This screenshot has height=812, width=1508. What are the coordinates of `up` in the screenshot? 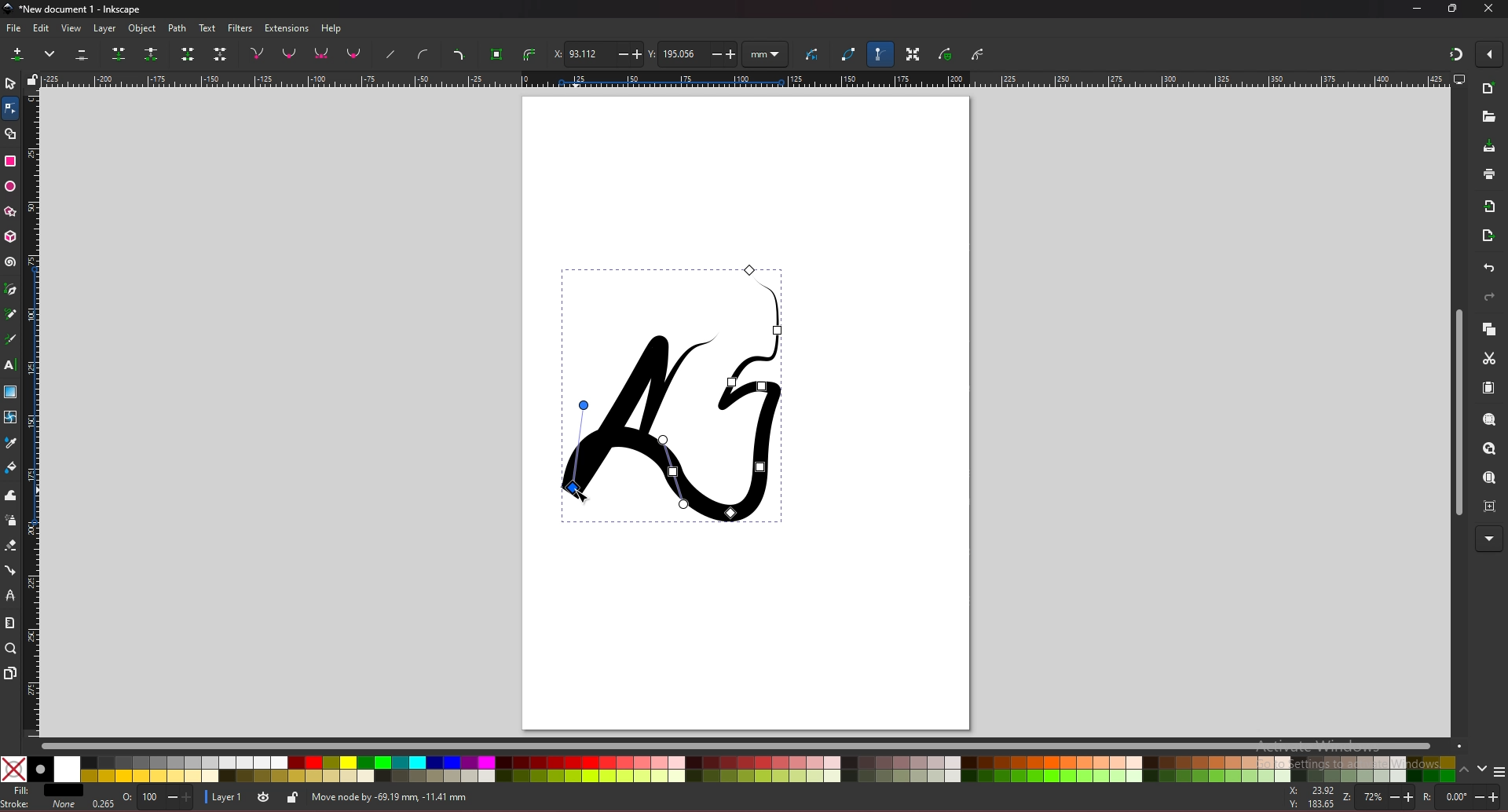 It's located at (1466, 768).